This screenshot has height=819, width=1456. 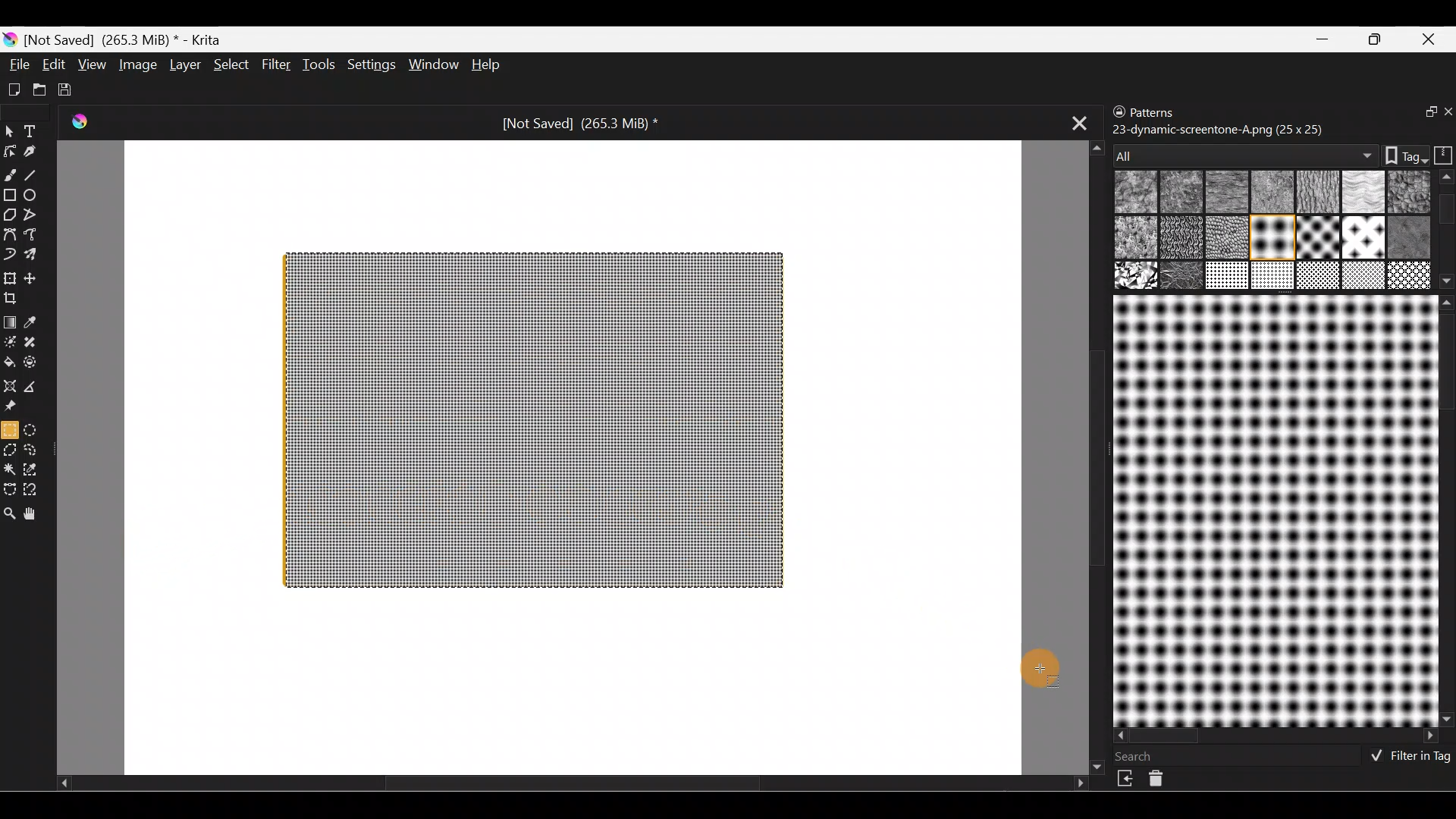 I want to click on [Not Saved] (214.5 MiB) * - Krita, so click(x=129, y=40).